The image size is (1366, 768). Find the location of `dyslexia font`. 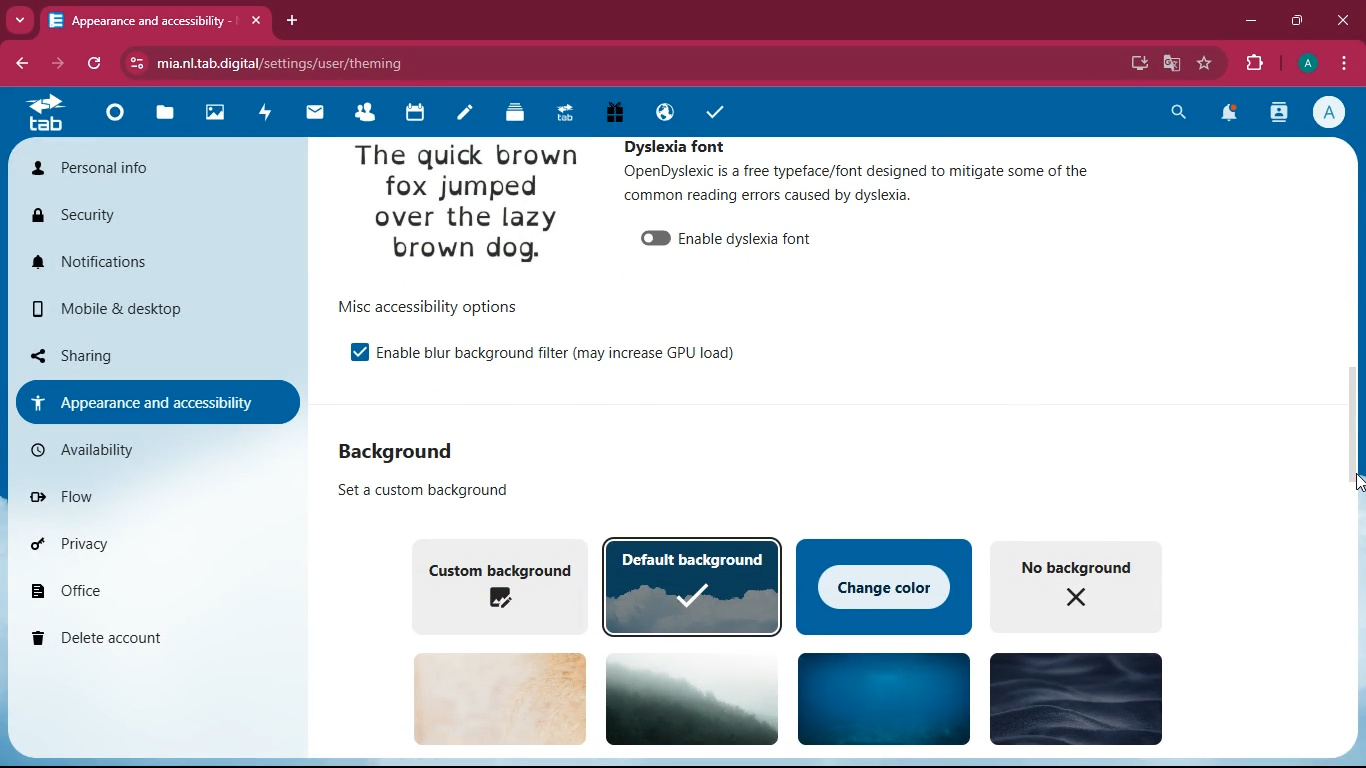

dyslexia font is located at coordinates (681, 146).